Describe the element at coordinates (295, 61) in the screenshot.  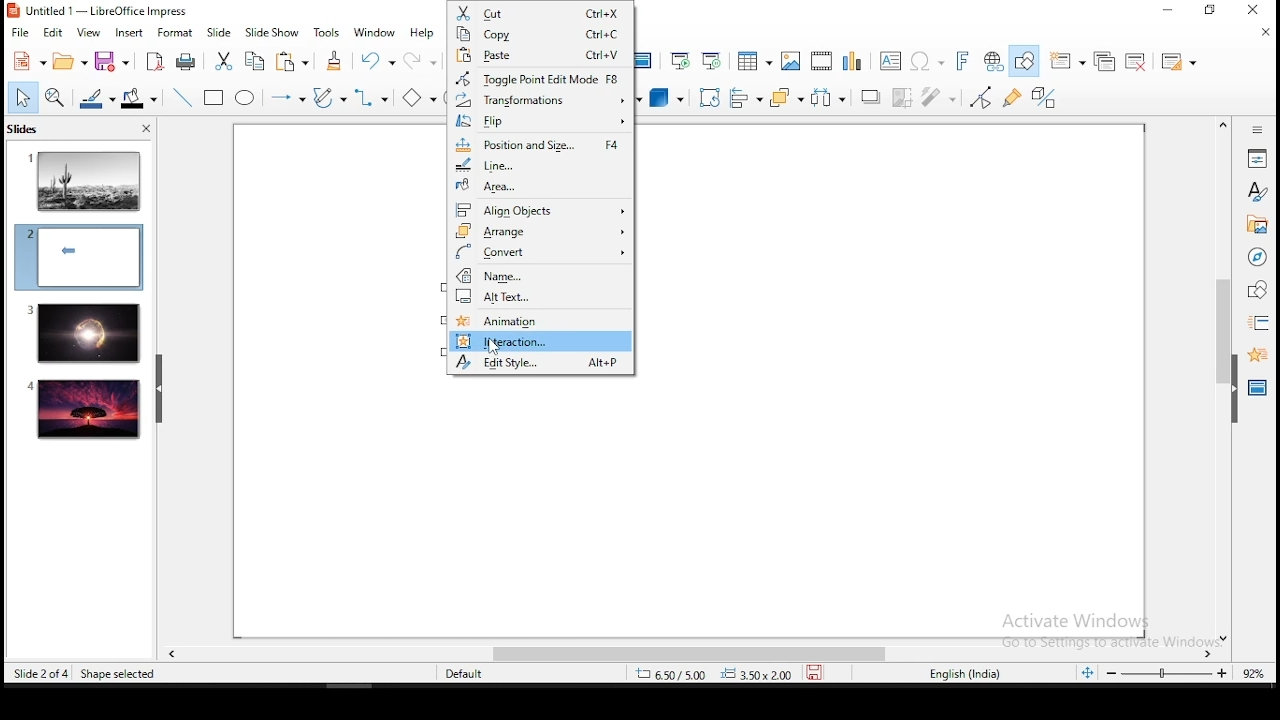
I see `paste` at that location.